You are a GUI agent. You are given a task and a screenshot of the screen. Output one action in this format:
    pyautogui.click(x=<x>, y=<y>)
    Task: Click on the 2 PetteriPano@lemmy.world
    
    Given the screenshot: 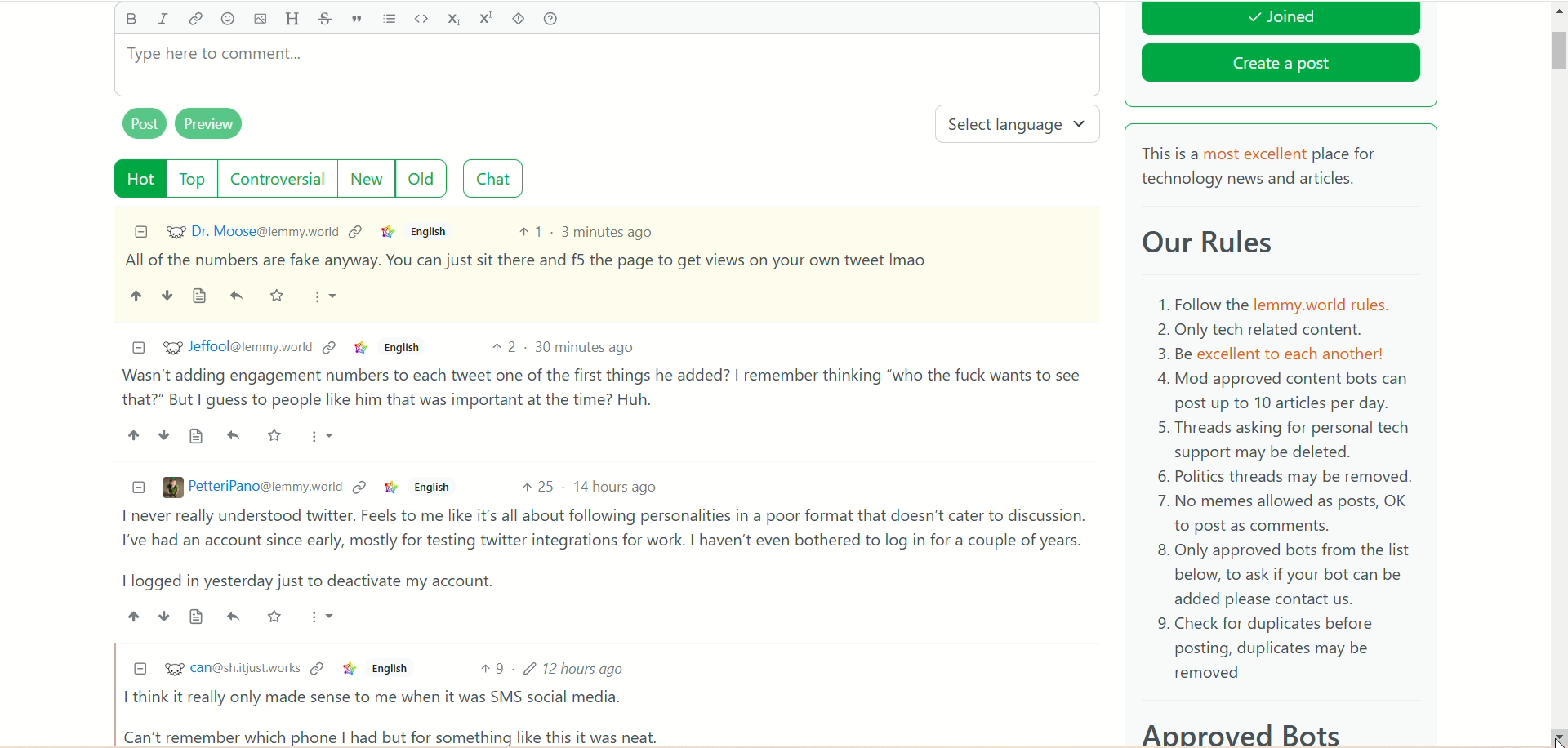 What is the action you would take?
    pyautogui.click(x=252, y=487)
    